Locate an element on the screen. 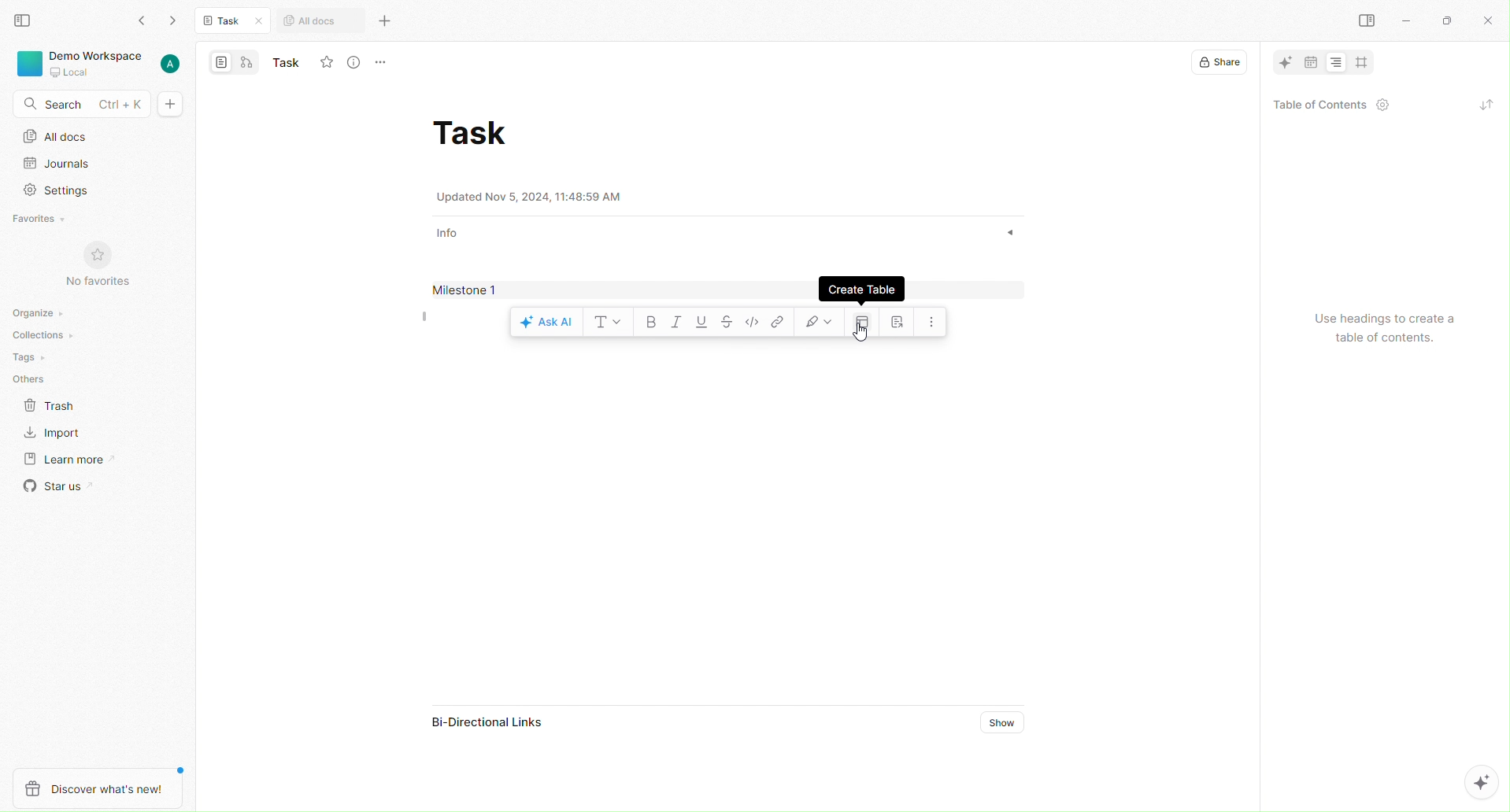  Fav is located at coordinates (326, 62).